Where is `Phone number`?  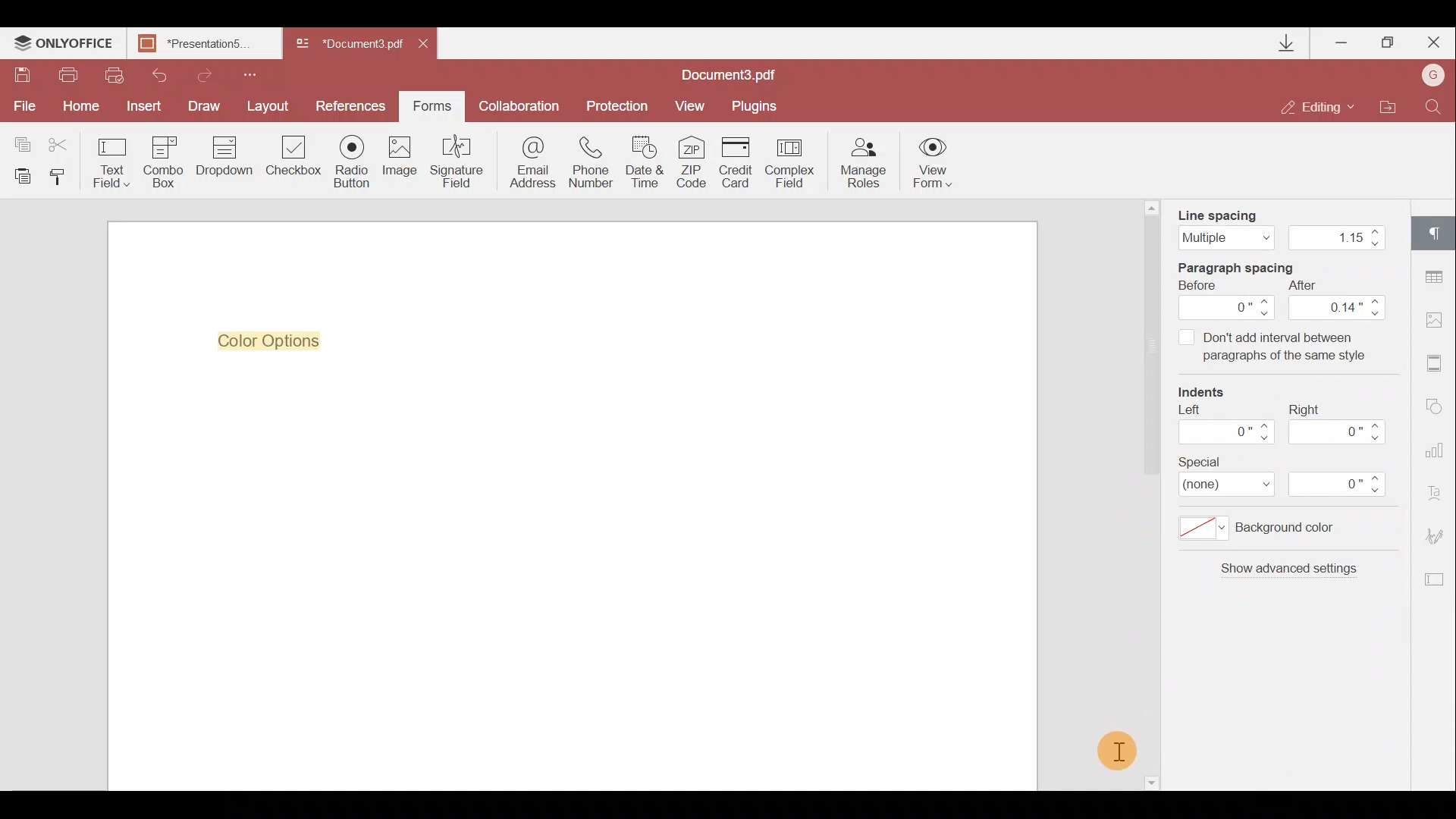 Phone number is located at coordinates (593, 162).